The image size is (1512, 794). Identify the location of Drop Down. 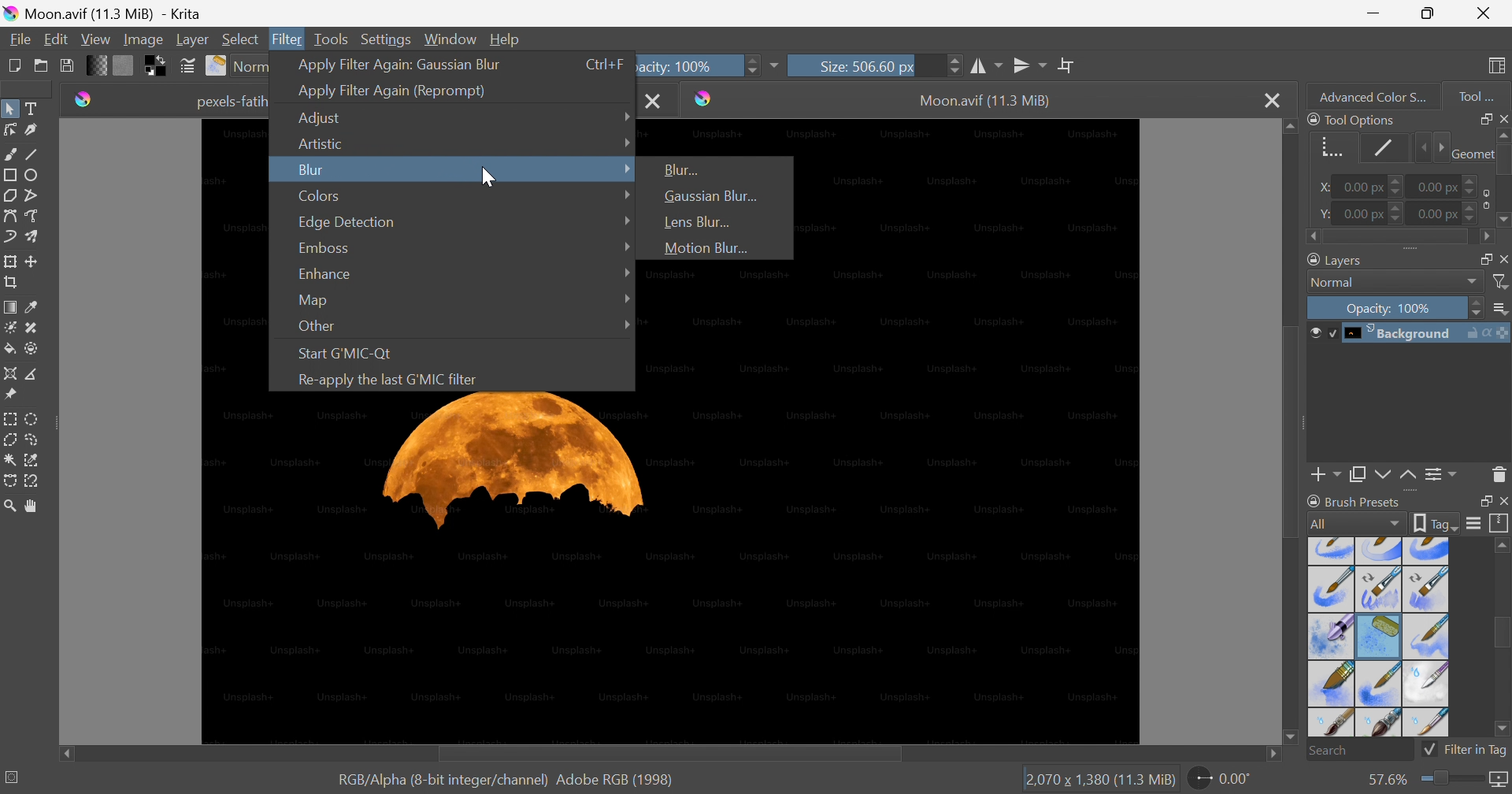
(624, 273).